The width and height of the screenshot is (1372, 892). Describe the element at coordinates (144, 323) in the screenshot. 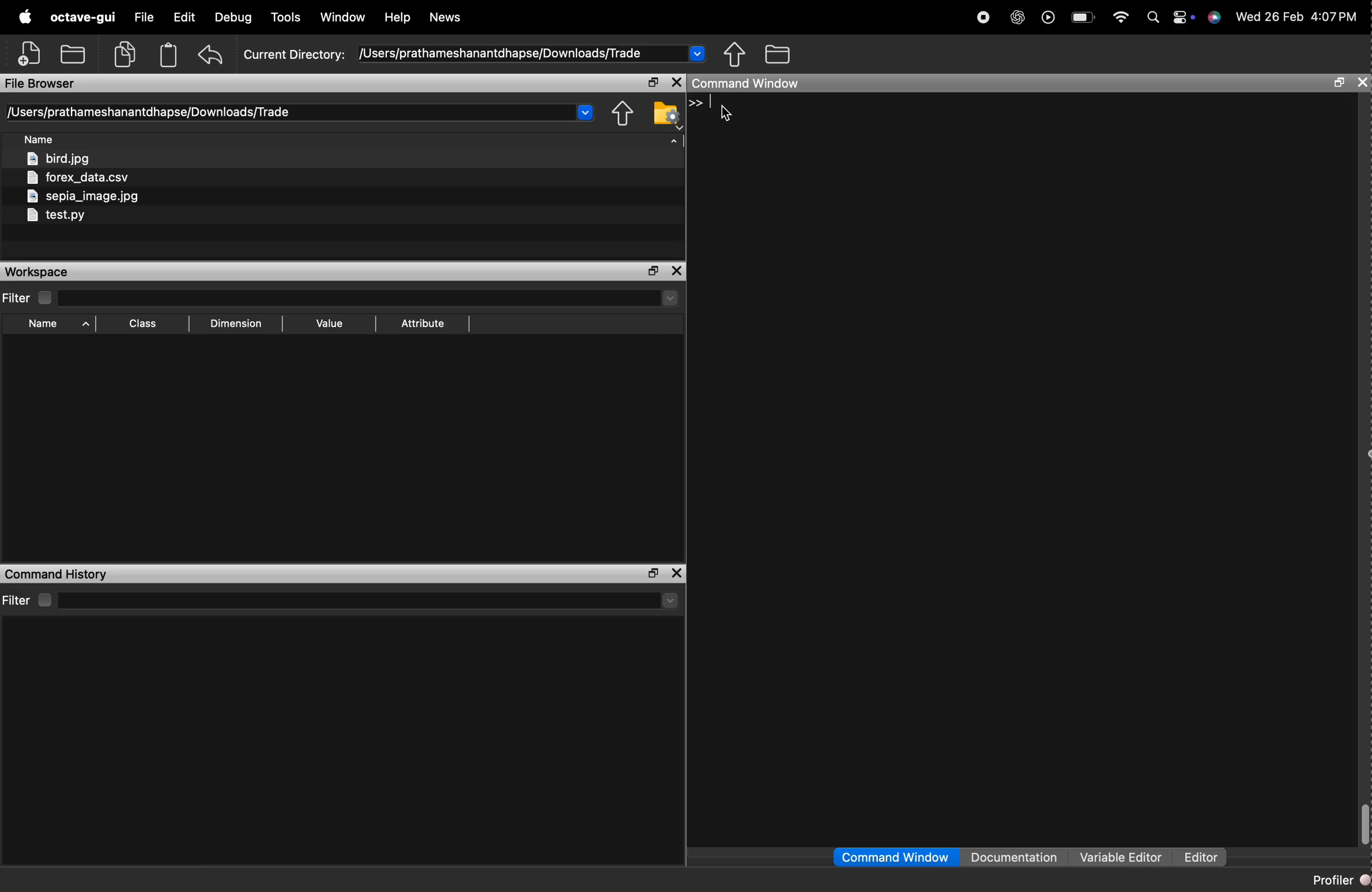

I see `Class` at that location.